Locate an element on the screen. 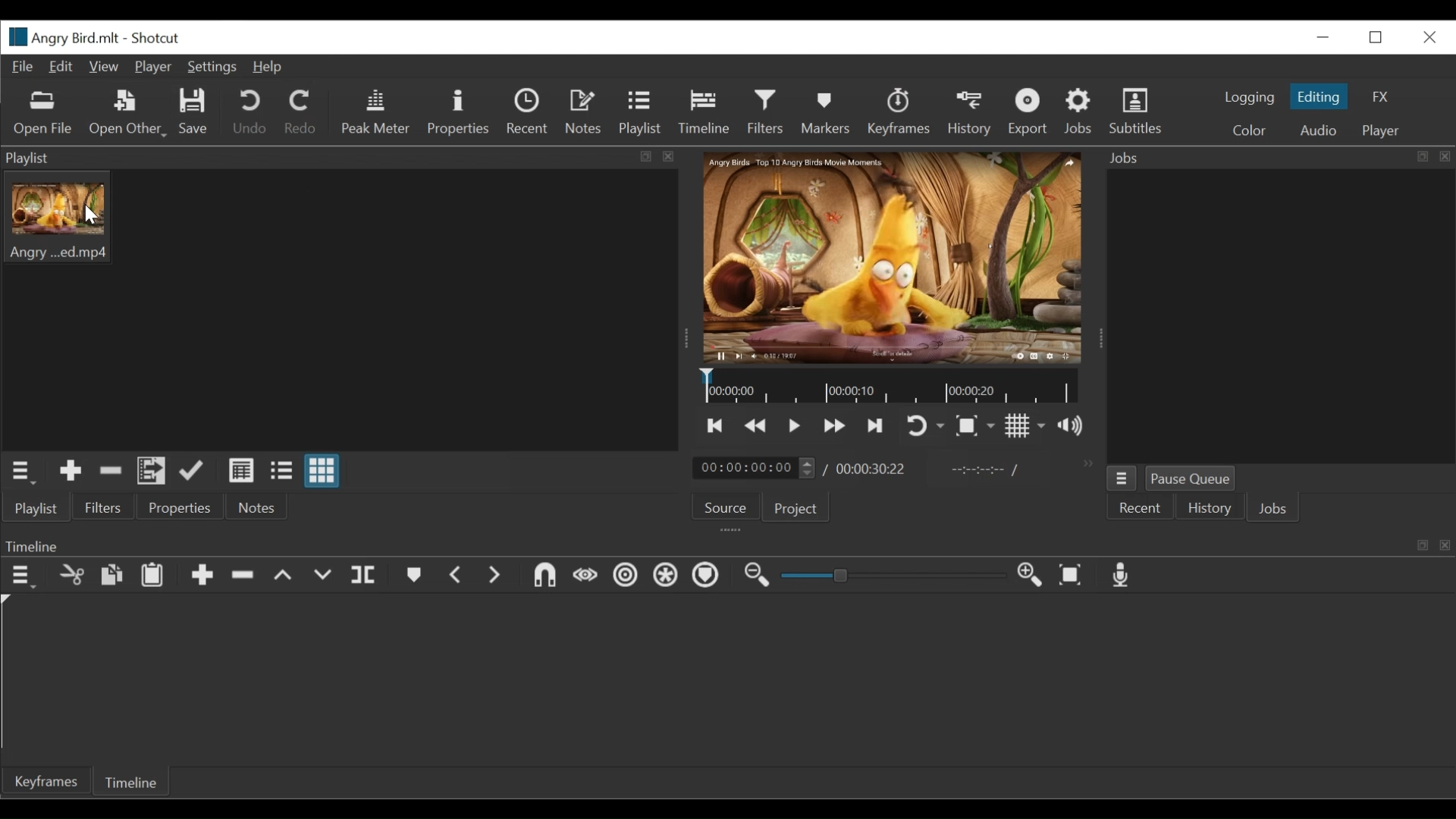 Image resolution: width=1456 pixels, height=819 pixels. minimize is located at coordinates (1323, 39).